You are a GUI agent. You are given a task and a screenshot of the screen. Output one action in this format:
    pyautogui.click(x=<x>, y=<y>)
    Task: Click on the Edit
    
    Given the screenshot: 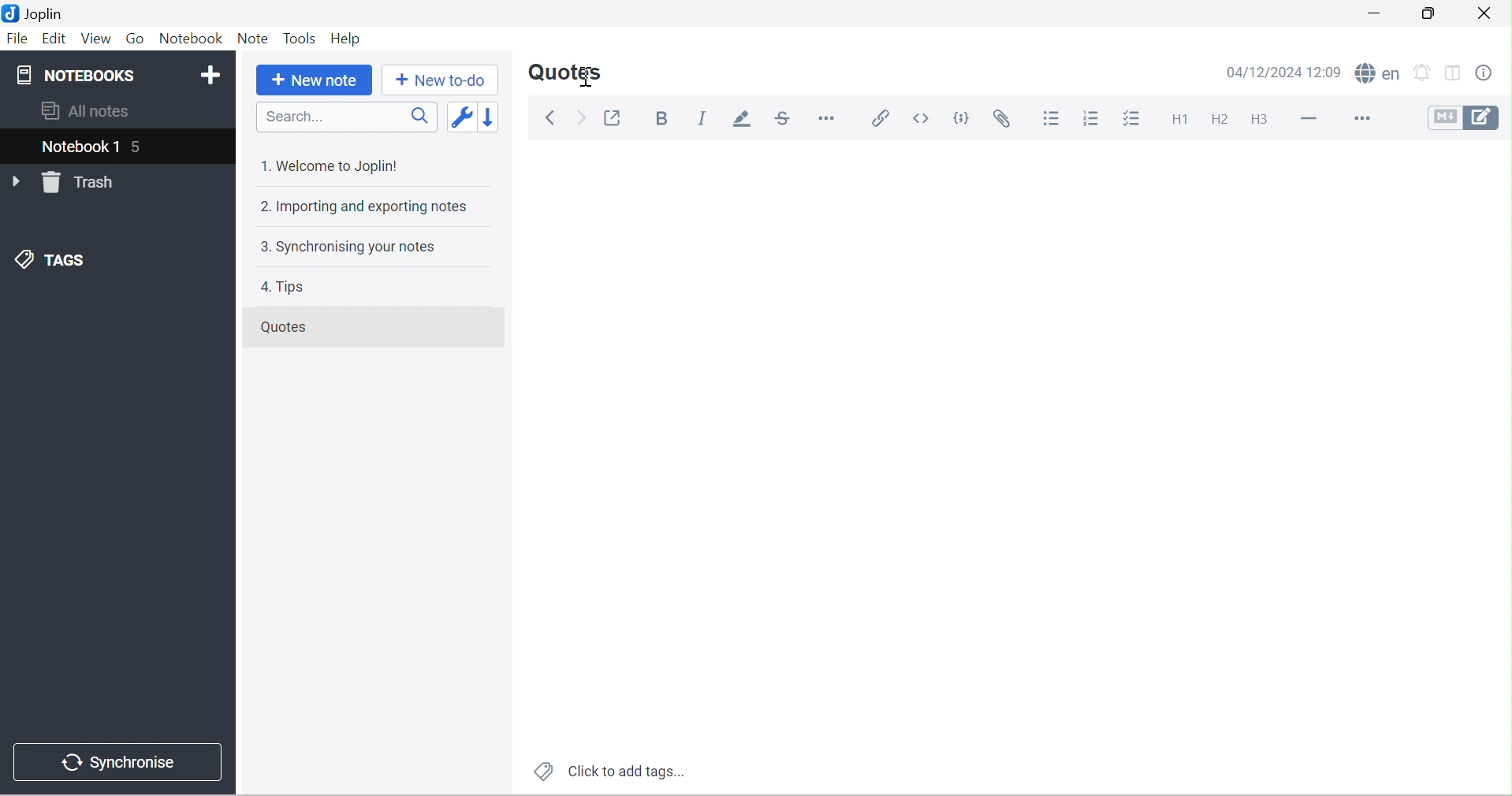 What is the action you would take?
    pyautogui.click(x=54, y=40)
    